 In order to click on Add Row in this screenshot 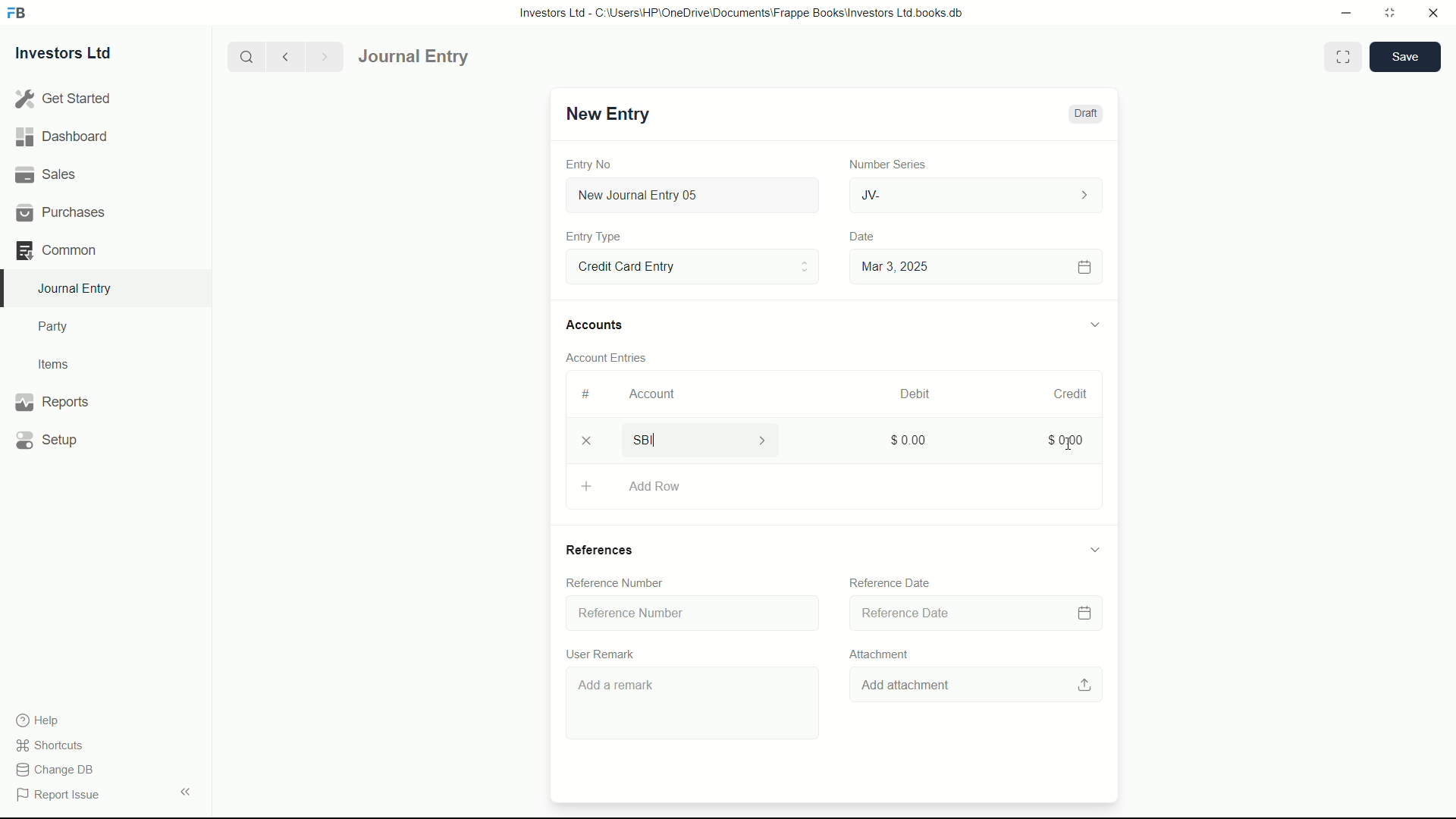, I will do `click(835, 488)`.